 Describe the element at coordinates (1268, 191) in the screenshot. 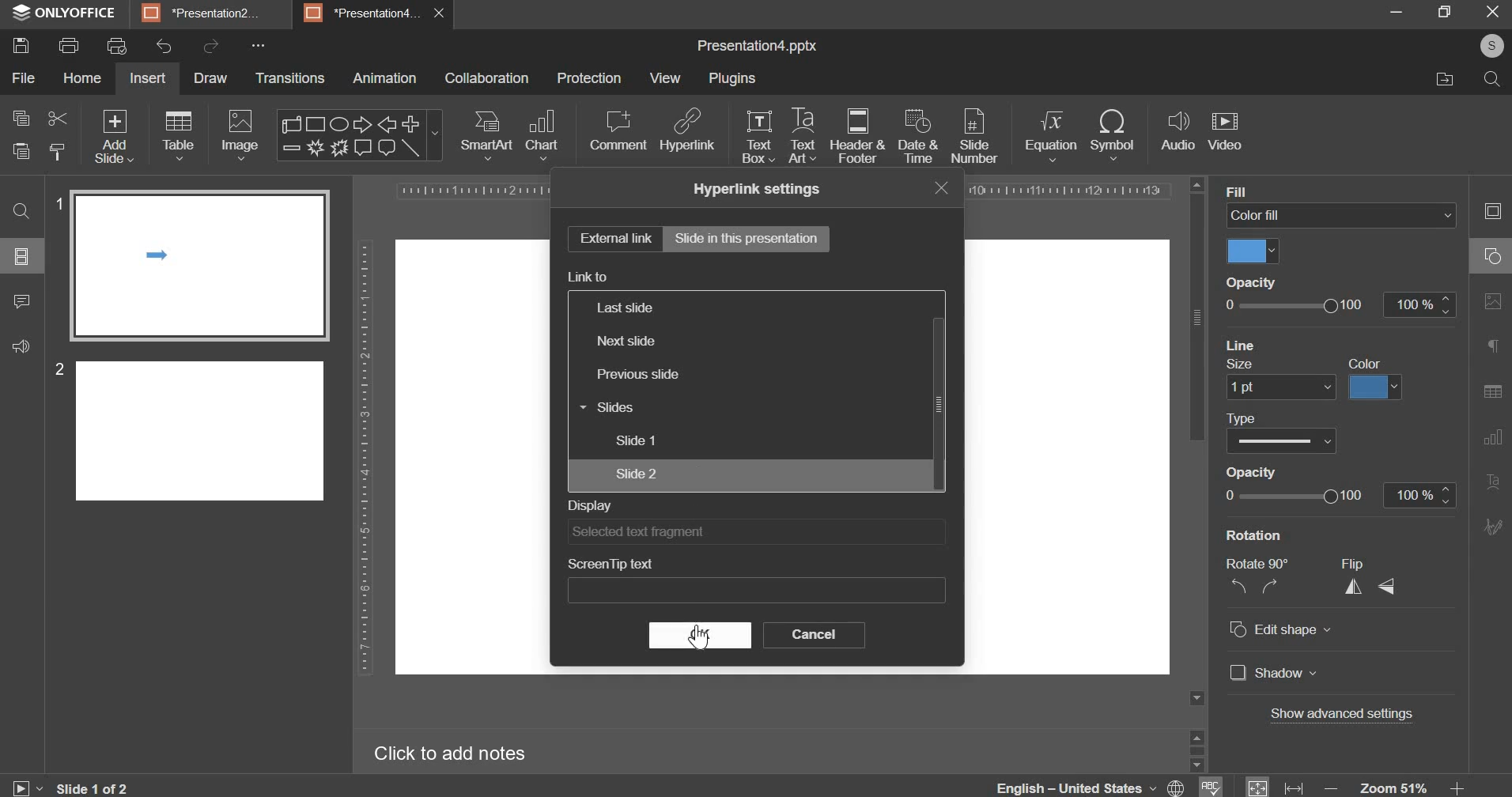

I see `Backaround` at that location.